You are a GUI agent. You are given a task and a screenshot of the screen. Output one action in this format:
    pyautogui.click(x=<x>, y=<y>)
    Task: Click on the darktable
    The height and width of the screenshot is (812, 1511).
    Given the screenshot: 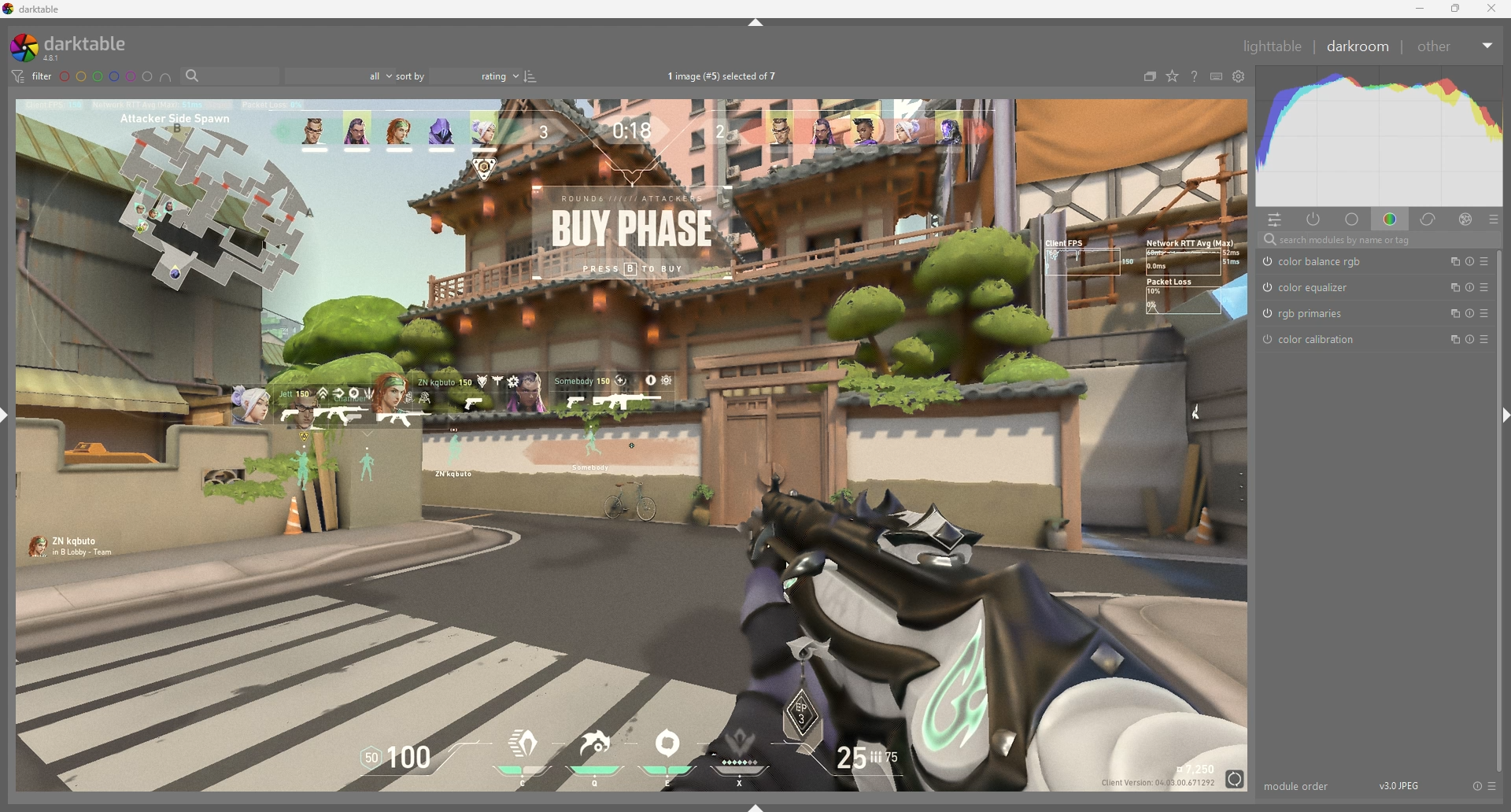 What is the action you would take?
    pyautogui.click(x=75, y=46)
    